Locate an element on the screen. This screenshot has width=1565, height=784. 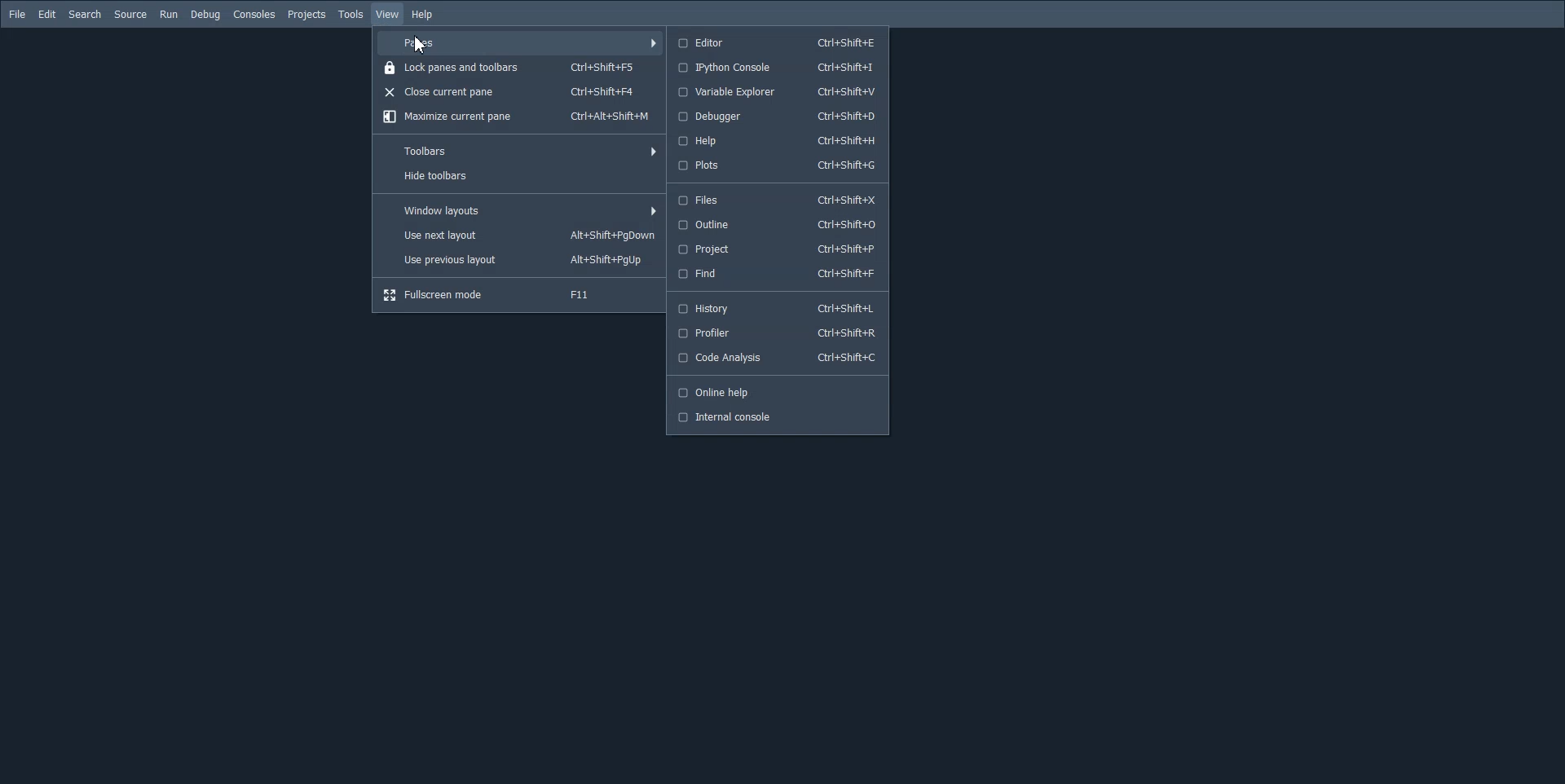
History  is located at coordinates (778, 308).